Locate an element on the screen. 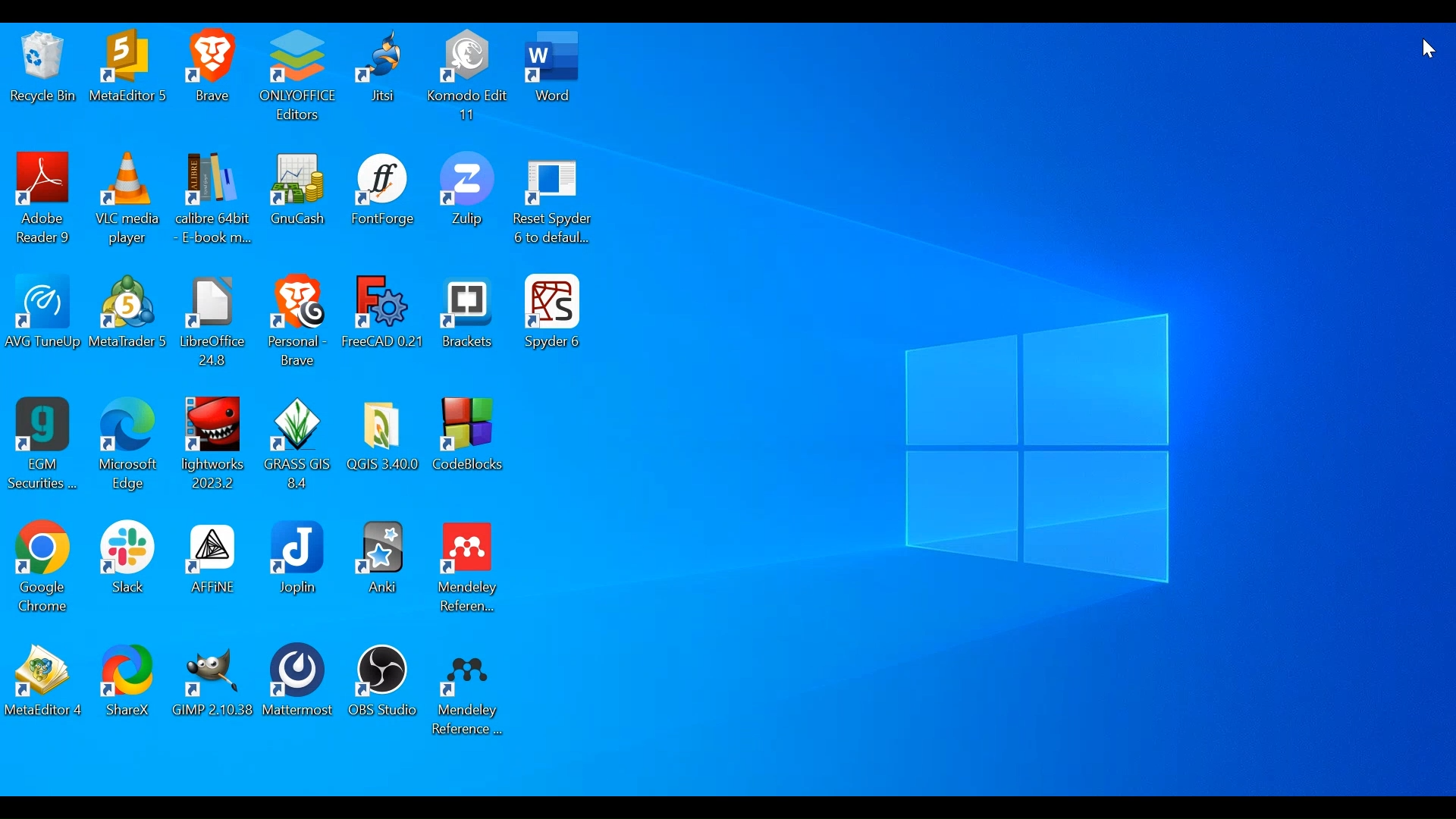 This screenshot has height=819, width=1456. Anki Desktop Icon is located at coordinates (381, 567).